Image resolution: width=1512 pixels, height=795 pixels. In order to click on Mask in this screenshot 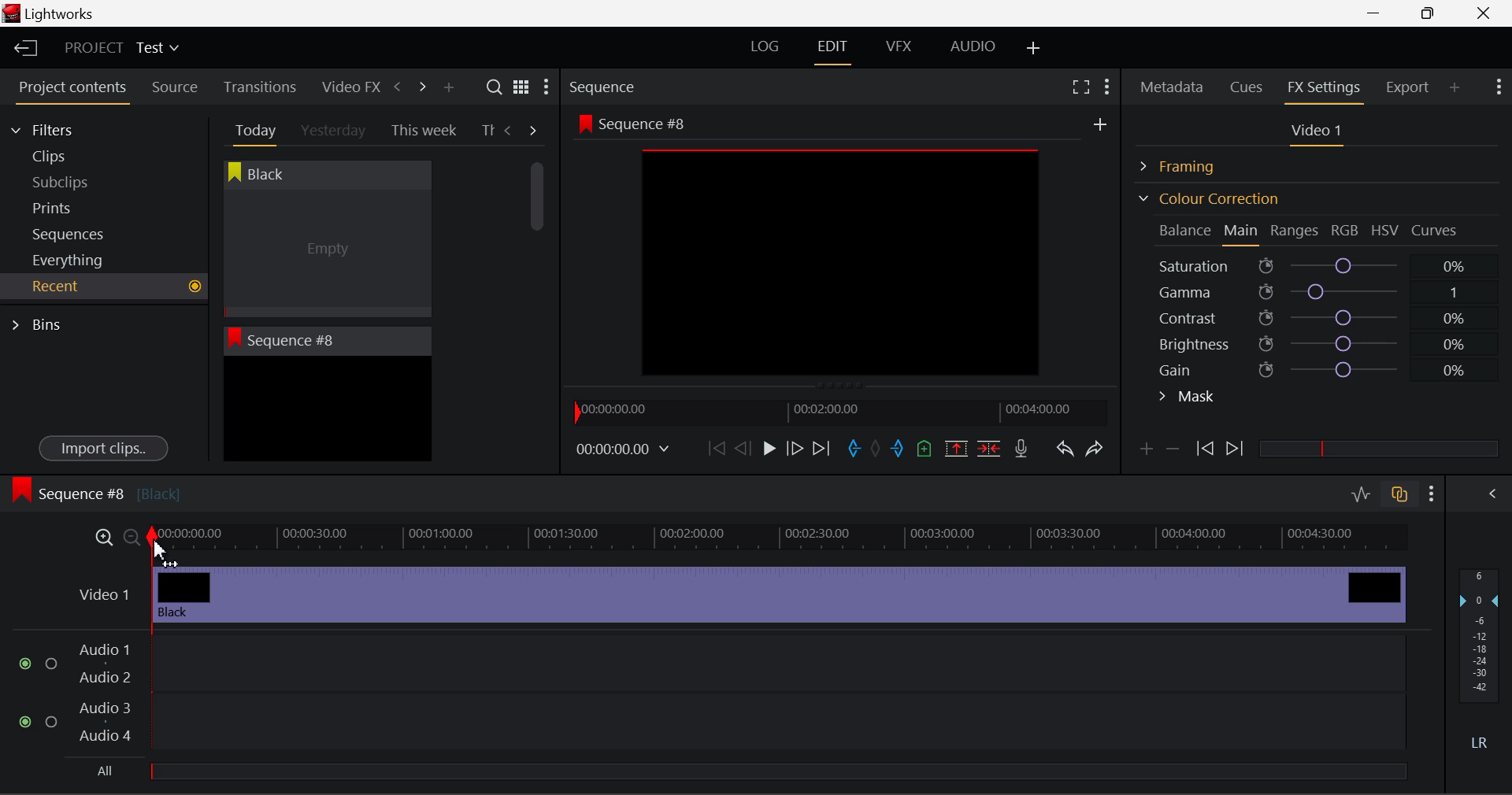, I will do `click(1188, 398)`.